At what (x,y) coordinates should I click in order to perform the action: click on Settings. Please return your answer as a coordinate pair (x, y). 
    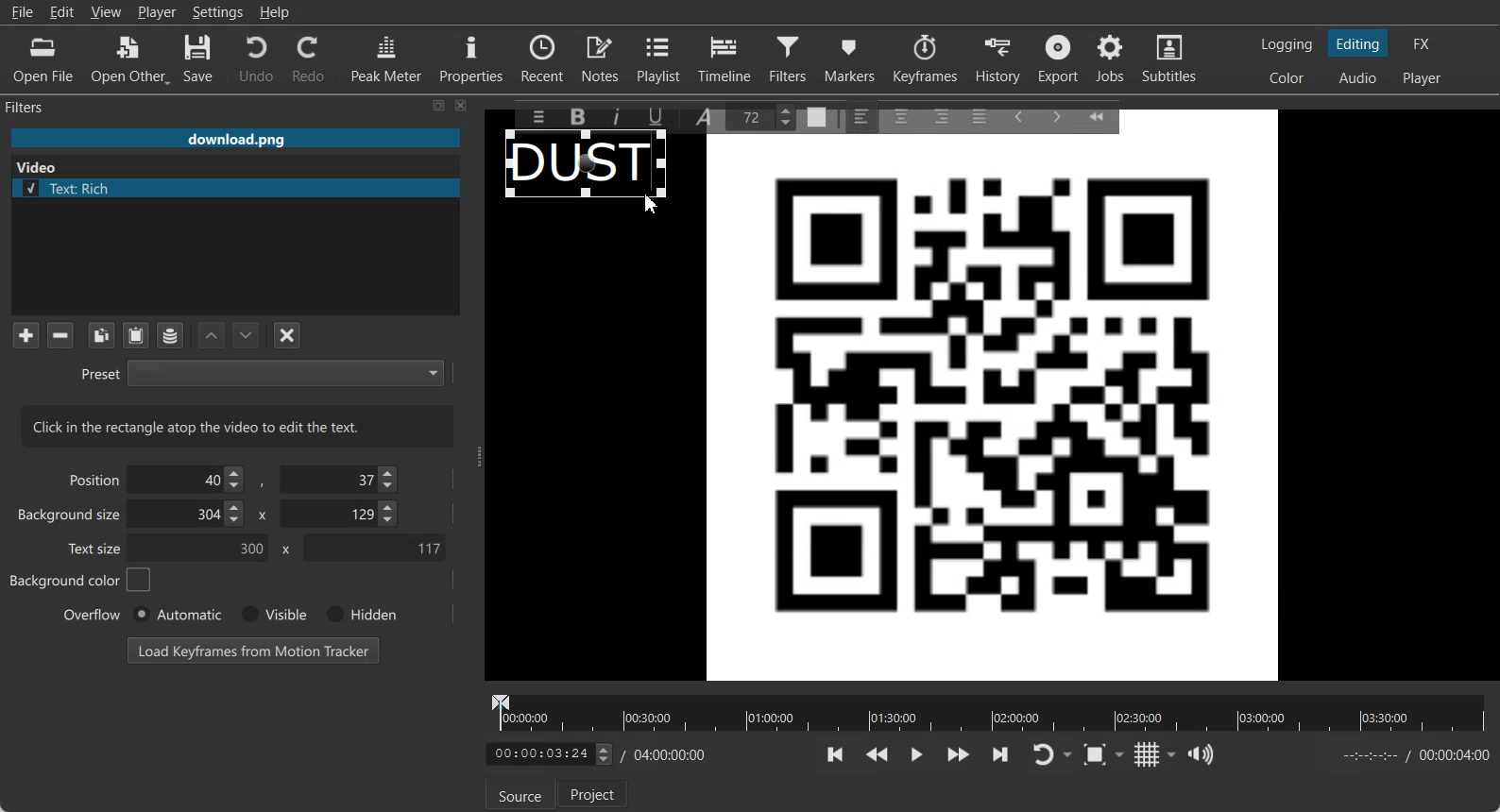
    Looking at the image, I should click on (218, 12).